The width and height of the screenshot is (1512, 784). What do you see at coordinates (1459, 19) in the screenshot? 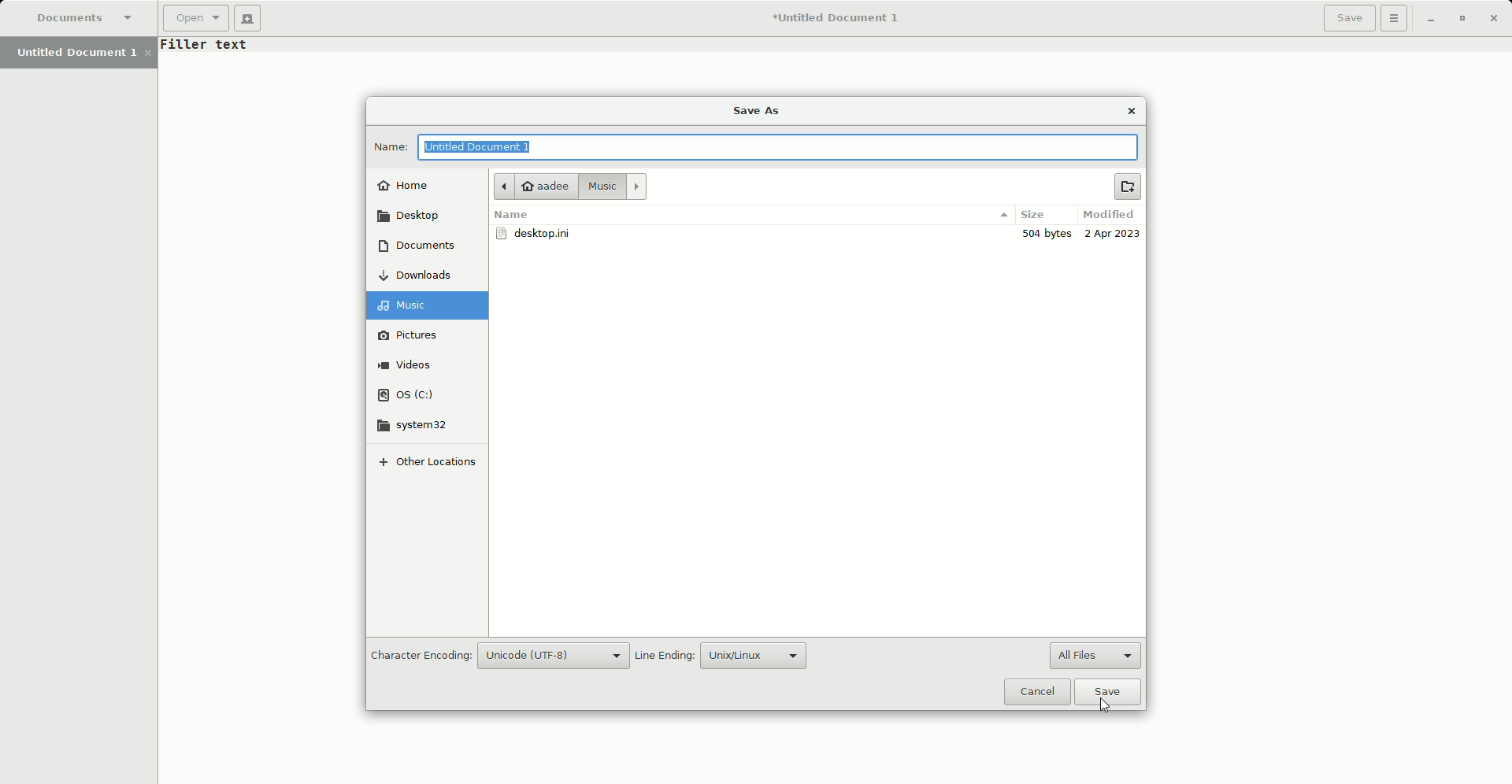
I see `Restore` at bounding box center [1459, 19].